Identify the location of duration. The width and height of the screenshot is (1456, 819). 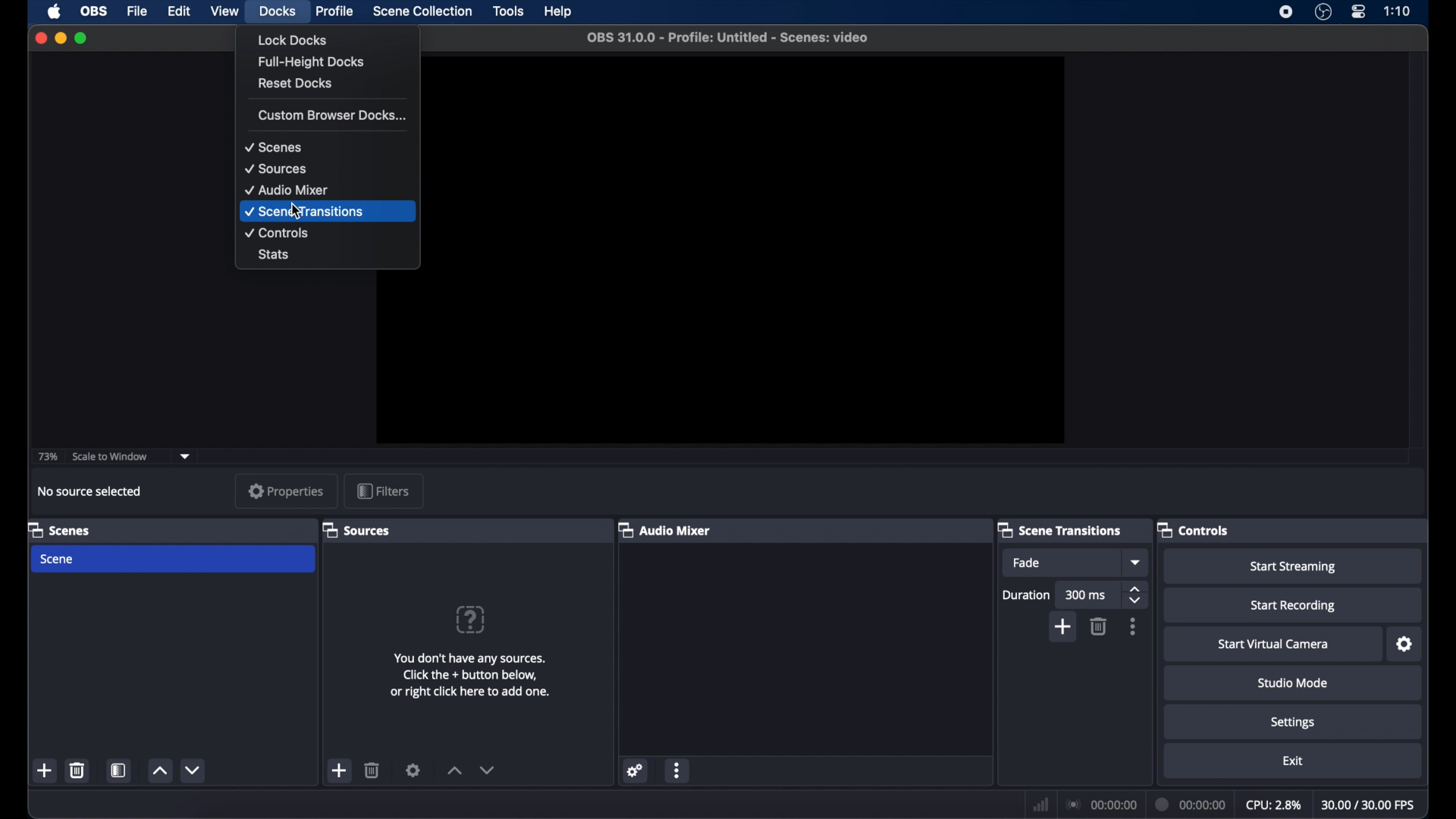
(1027, 595).